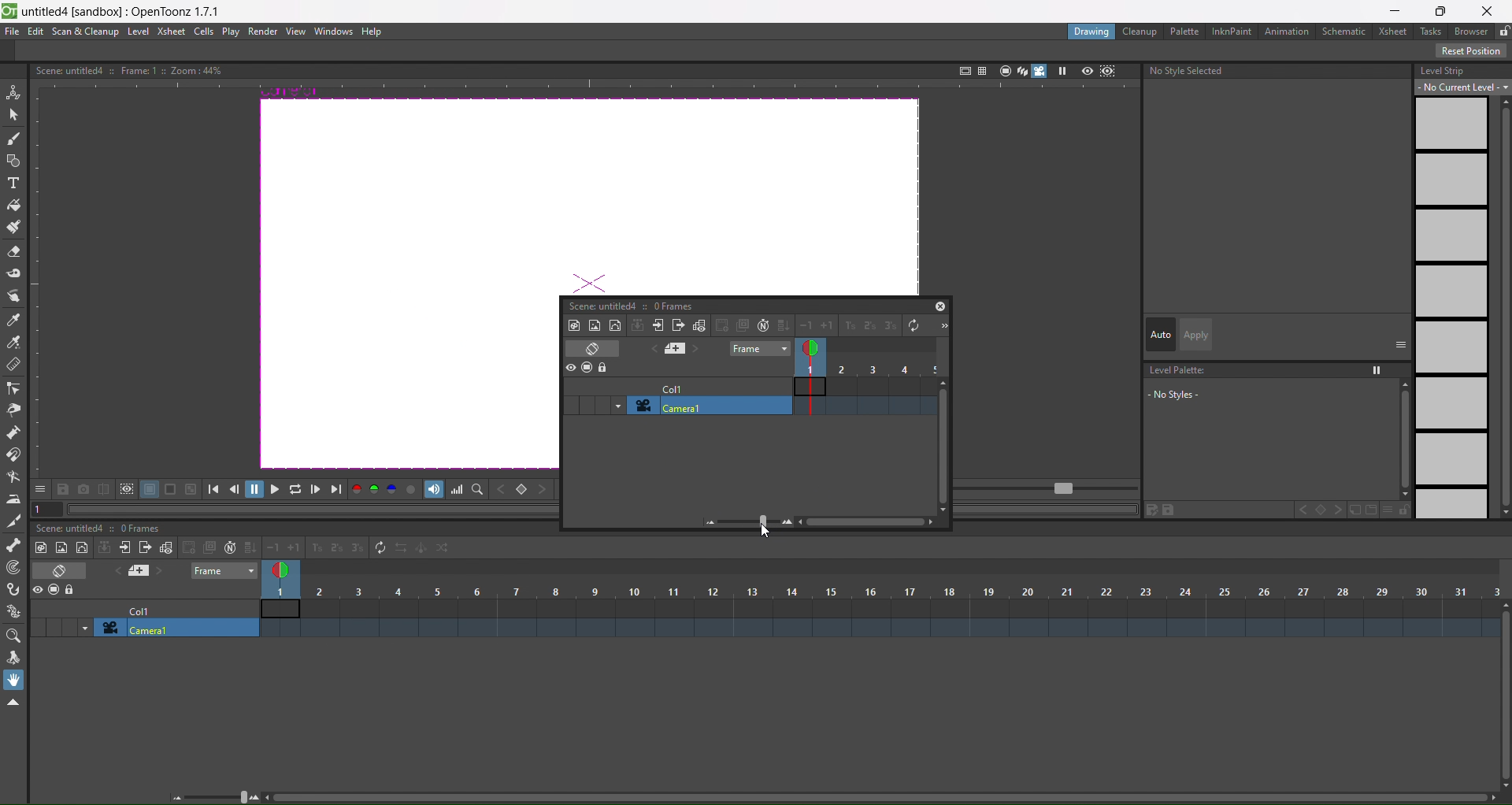 The image size is (1512, 805). What do you see at coordinates (444, 548) in the screenshot?
I see `random` at bounding box center [444, 548].